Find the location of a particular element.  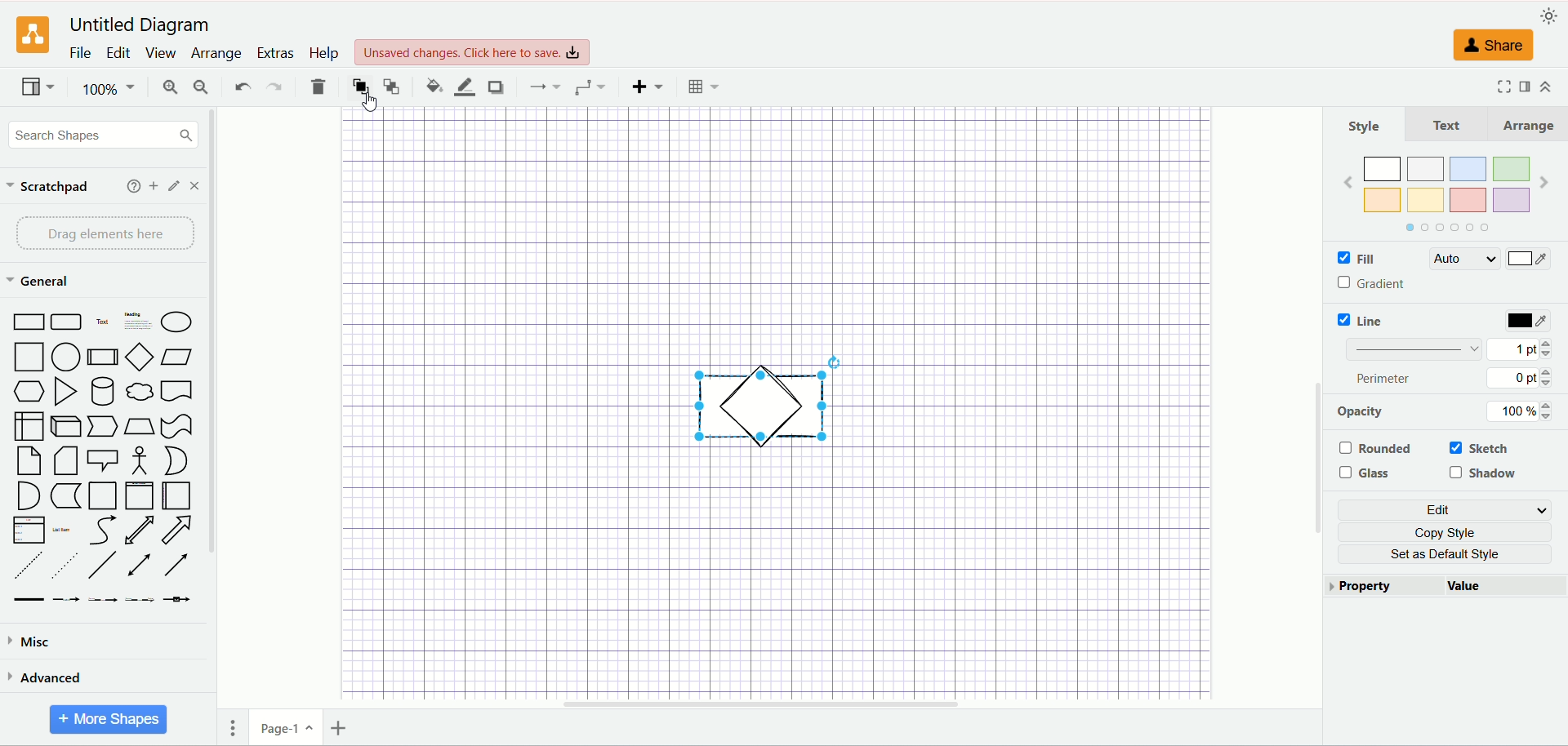

scratchpad is located at coordinates (48, 189).